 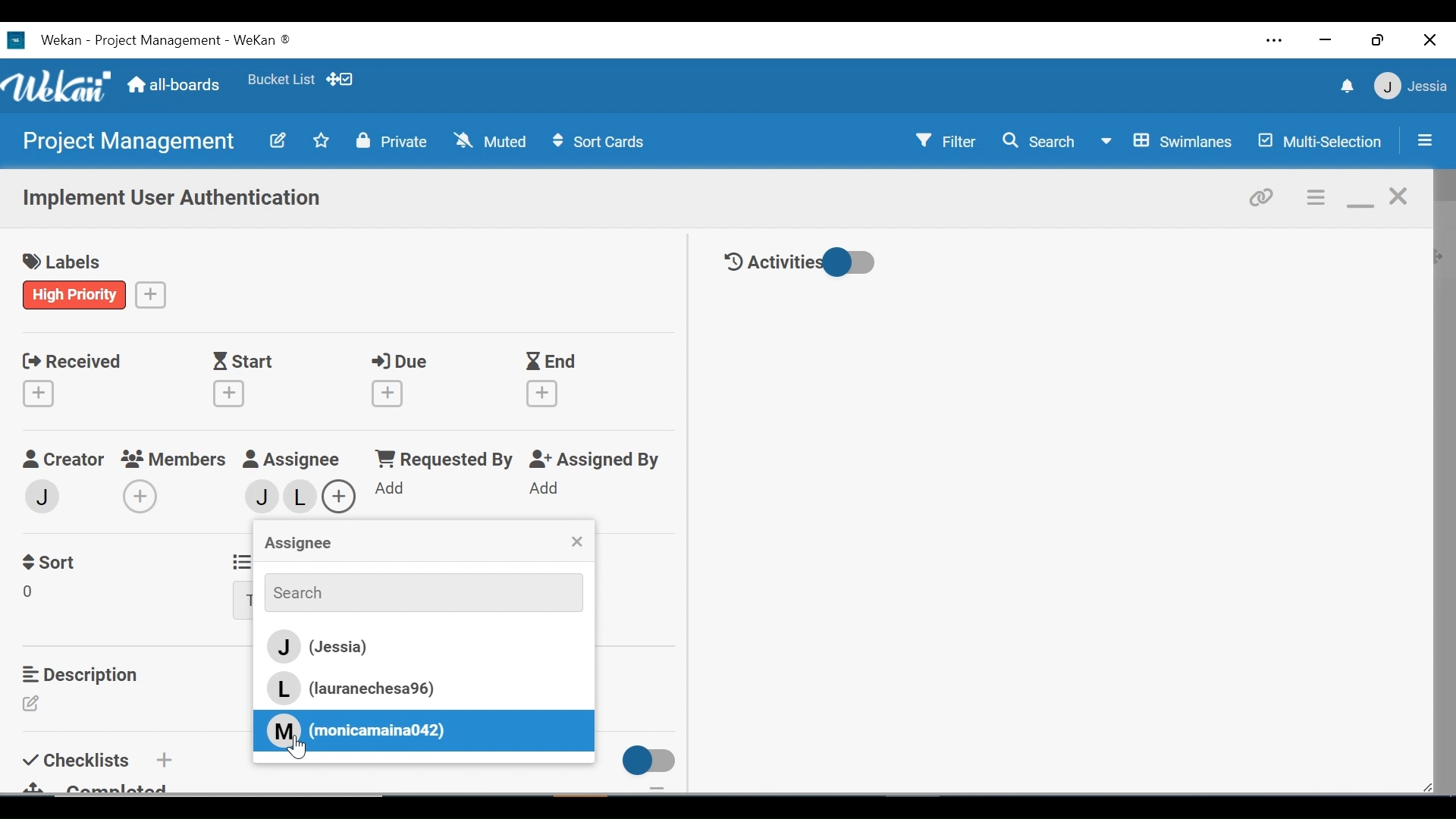 I want to click on (monicamaina042), so click(x=356, y=730).